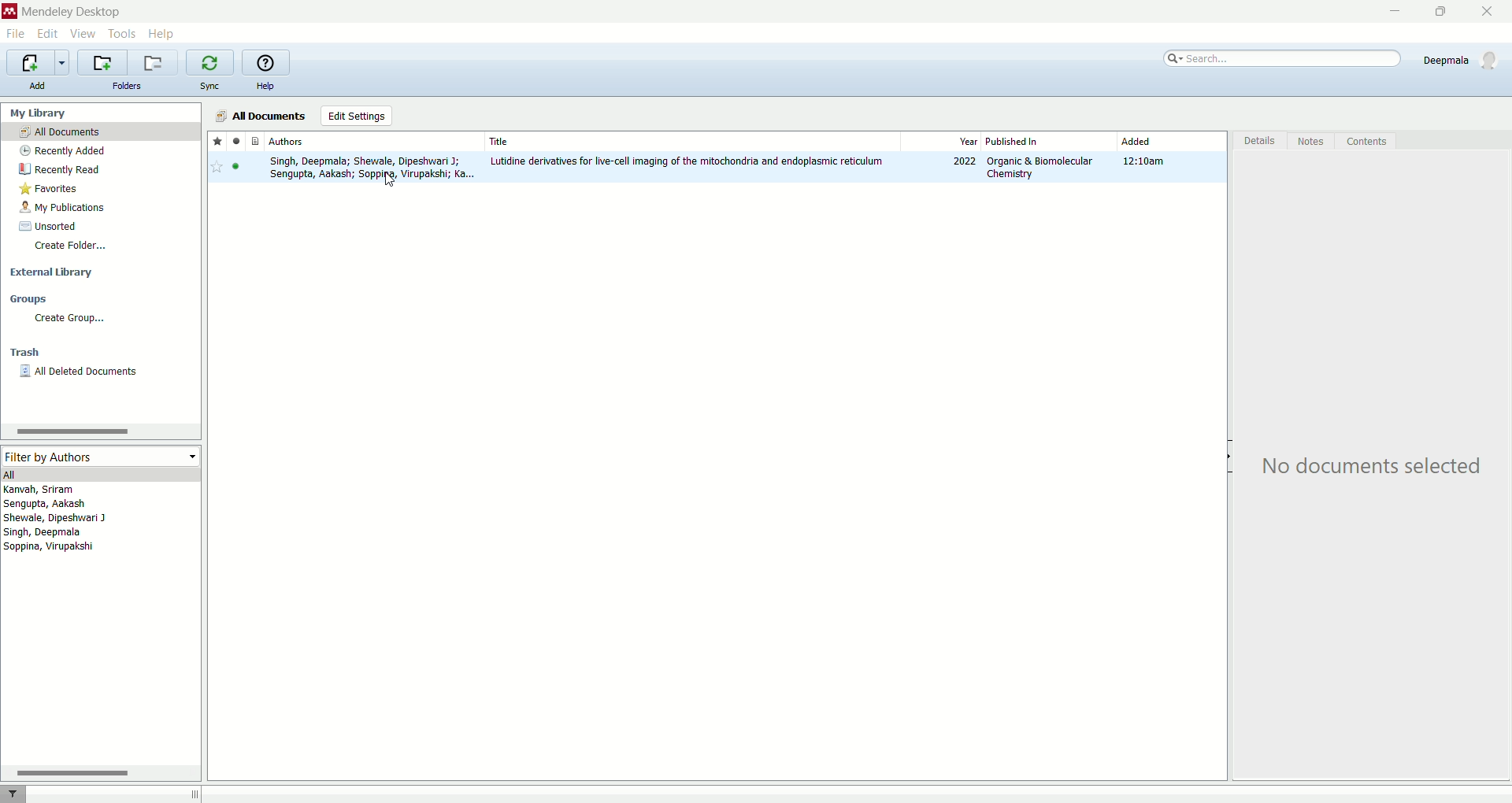 This screenshot has width=1512, height=803. What do you see at coordinates (99, 61) in the screenshot?
I see `create a new folder` at bounding box center [99, 61].